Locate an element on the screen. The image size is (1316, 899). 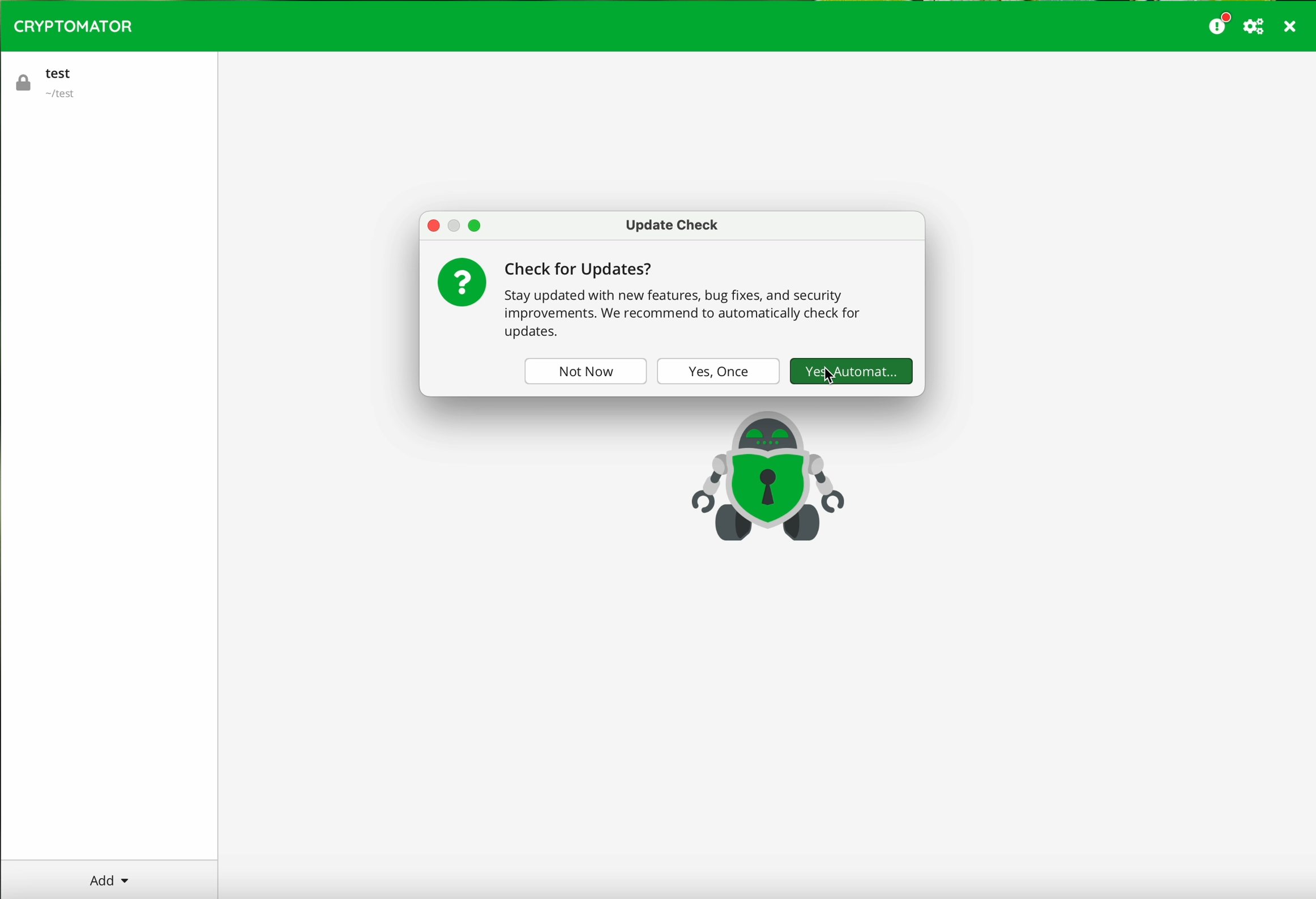
Yes, automat... is located at coordinates (849, 369).